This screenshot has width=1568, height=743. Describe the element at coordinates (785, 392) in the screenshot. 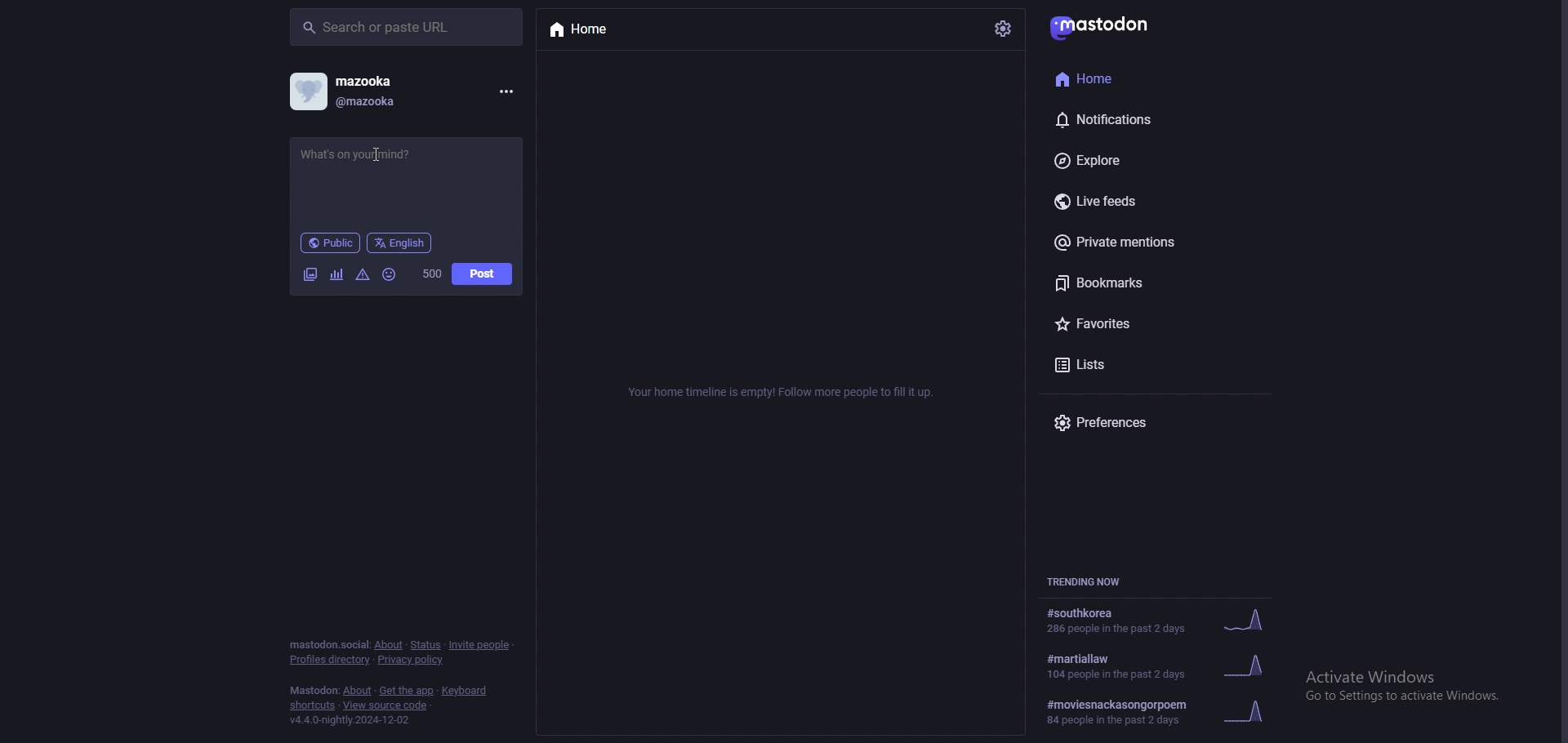

I see `info` at that location.